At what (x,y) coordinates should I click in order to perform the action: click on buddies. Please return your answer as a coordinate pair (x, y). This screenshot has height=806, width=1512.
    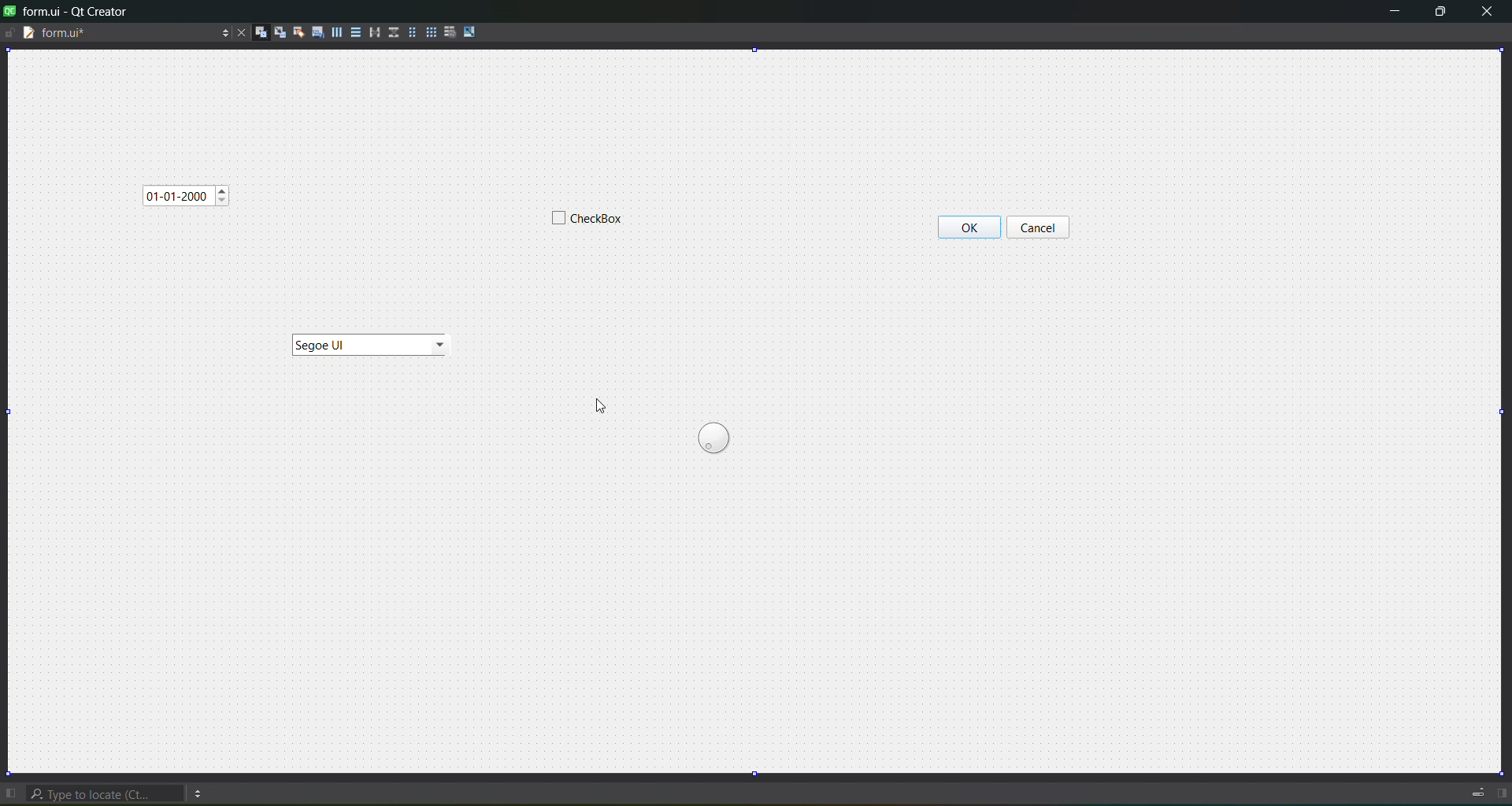
    Looking at the image, I should click on (295, 32).